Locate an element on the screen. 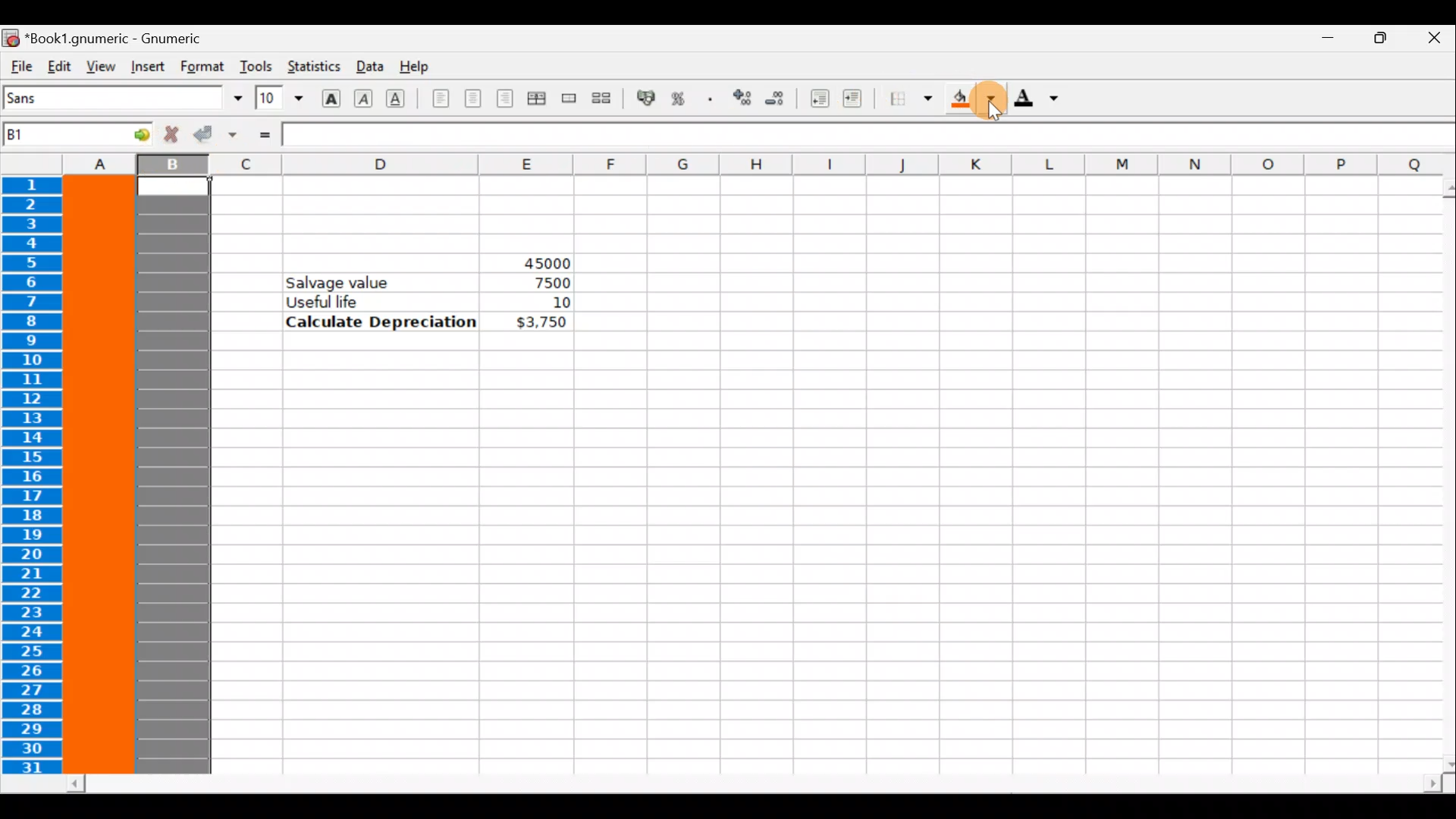 The width and height of the screenshot is (1456, 819). Centre horizontally is located at coordinates (472, 103).